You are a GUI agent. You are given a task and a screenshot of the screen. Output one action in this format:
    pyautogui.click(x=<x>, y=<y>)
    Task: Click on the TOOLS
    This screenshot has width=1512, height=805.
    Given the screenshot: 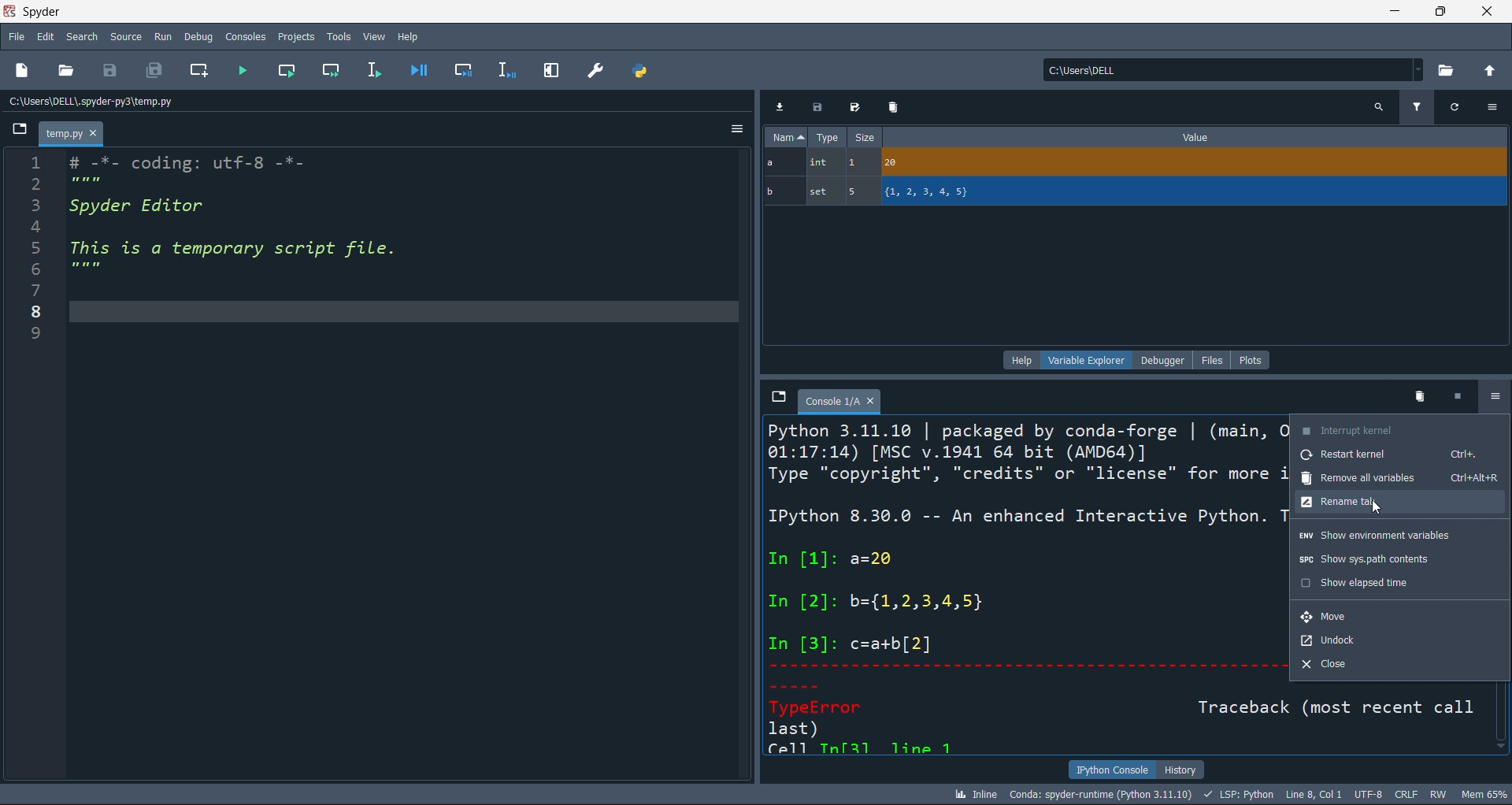 What is the action you would take?
    pyautogui.click(x=338, y=35)
    